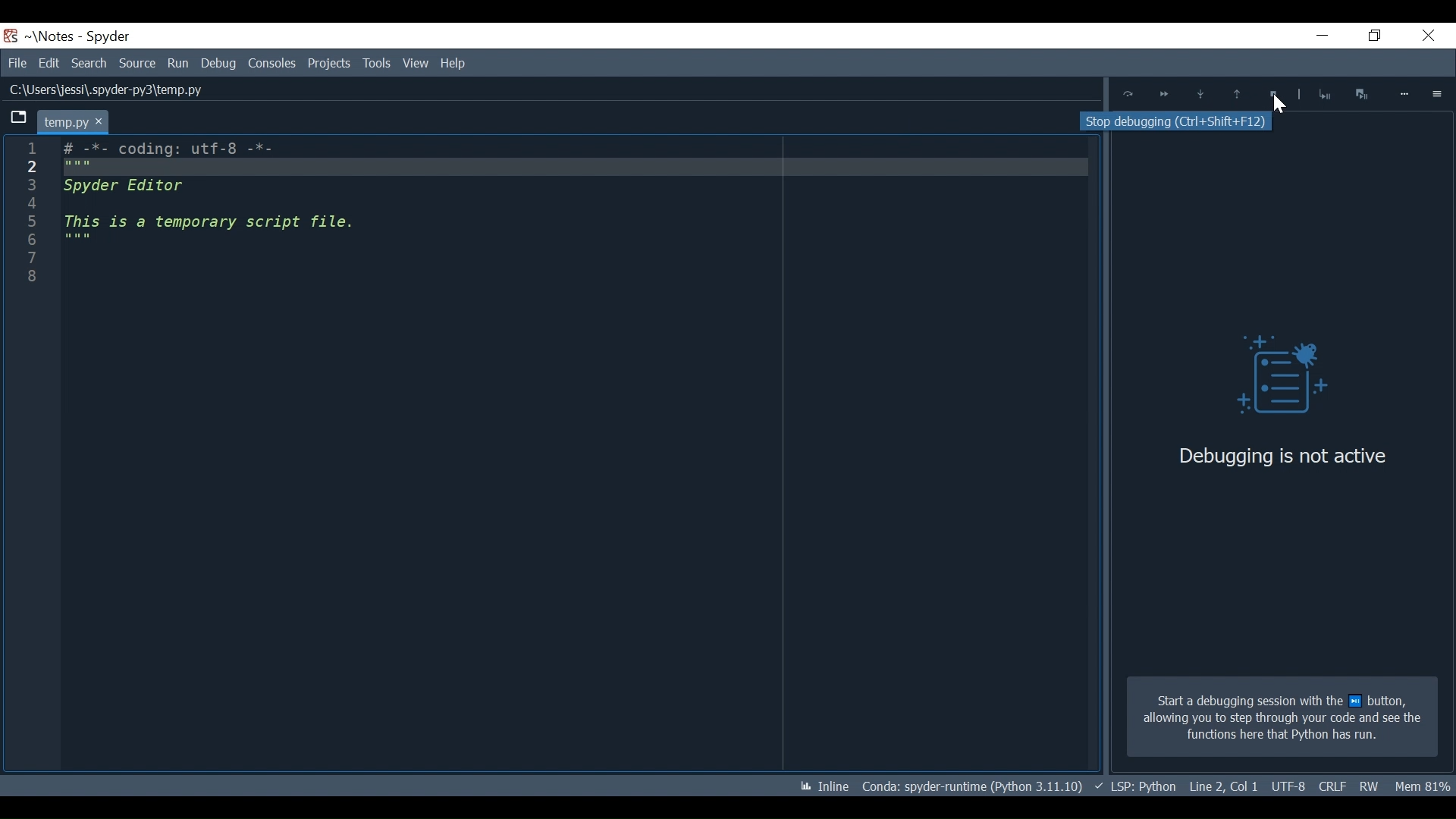  I want to click on Conda Environment Indicator, so click(971, 786).